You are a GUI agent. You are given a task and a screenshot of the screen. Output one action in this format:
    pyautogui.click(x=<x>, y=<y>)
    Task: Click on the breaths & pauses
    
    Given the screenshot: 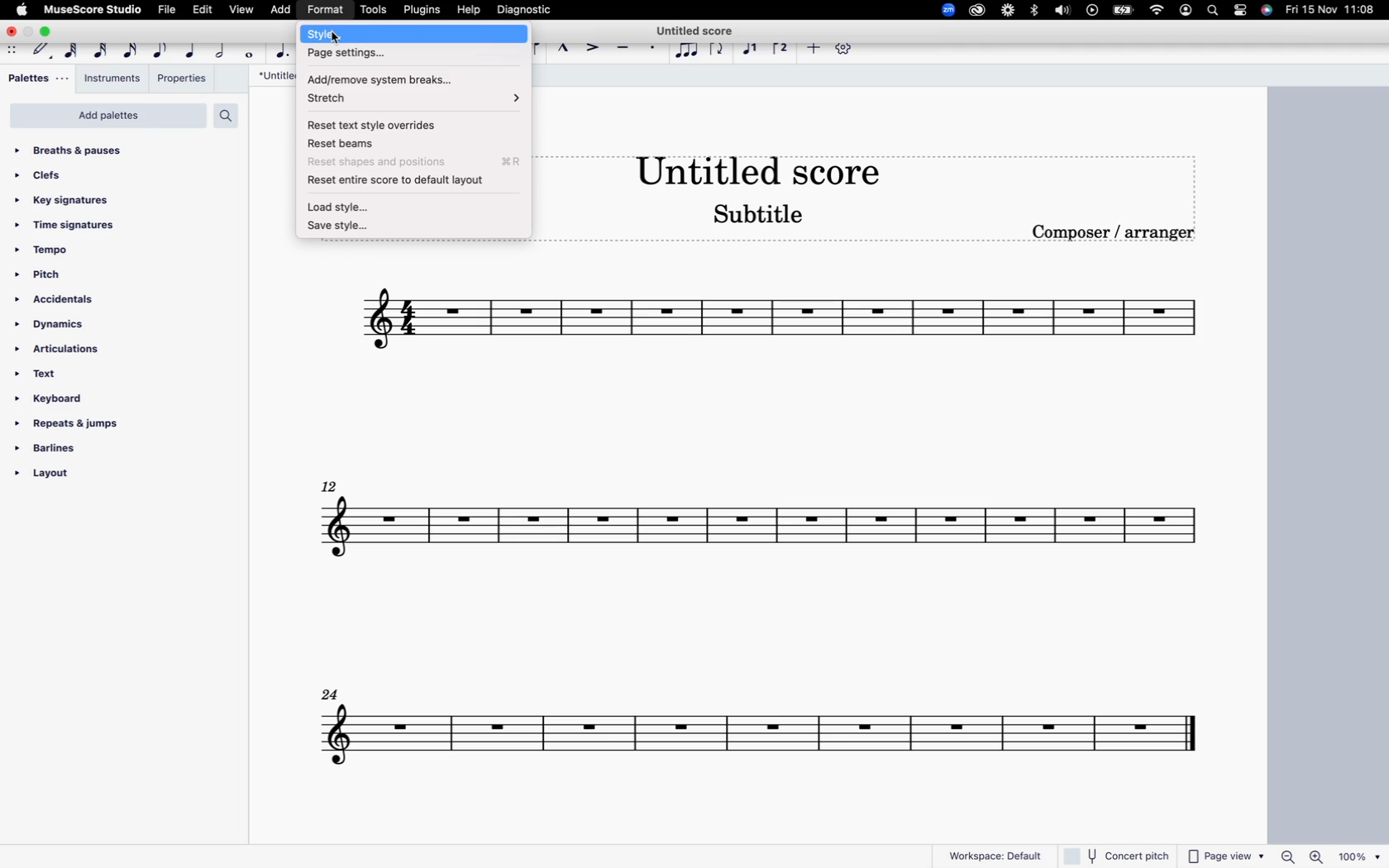 What is the action you would take?
    pyautogui.click(x=79, y=150)
    